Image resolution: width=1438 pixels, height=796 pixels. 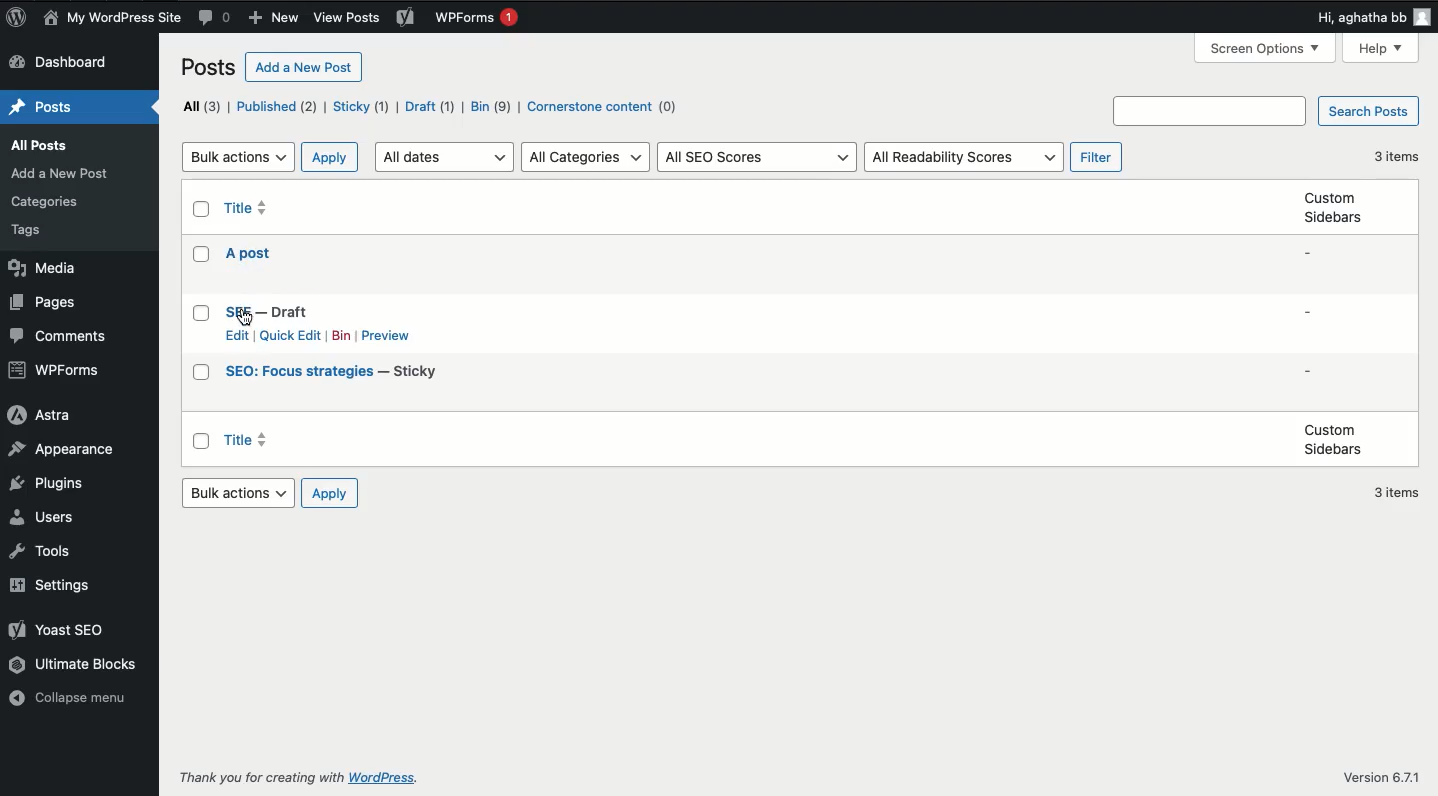 I want to click on Bulk actions, so click(x=243, y=493).